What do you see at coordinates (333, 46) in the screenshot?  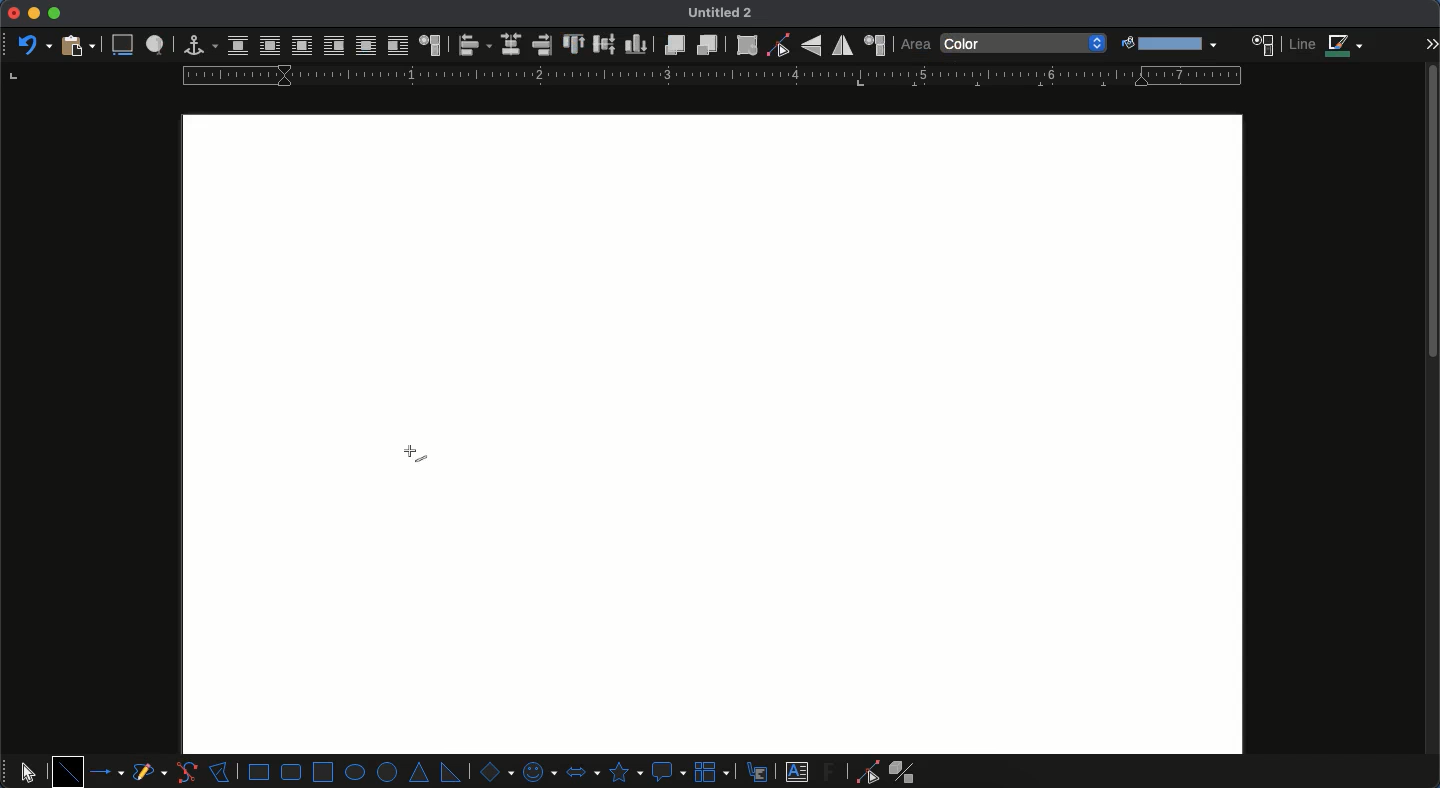 I see `before` at bounding box center [333, 46].